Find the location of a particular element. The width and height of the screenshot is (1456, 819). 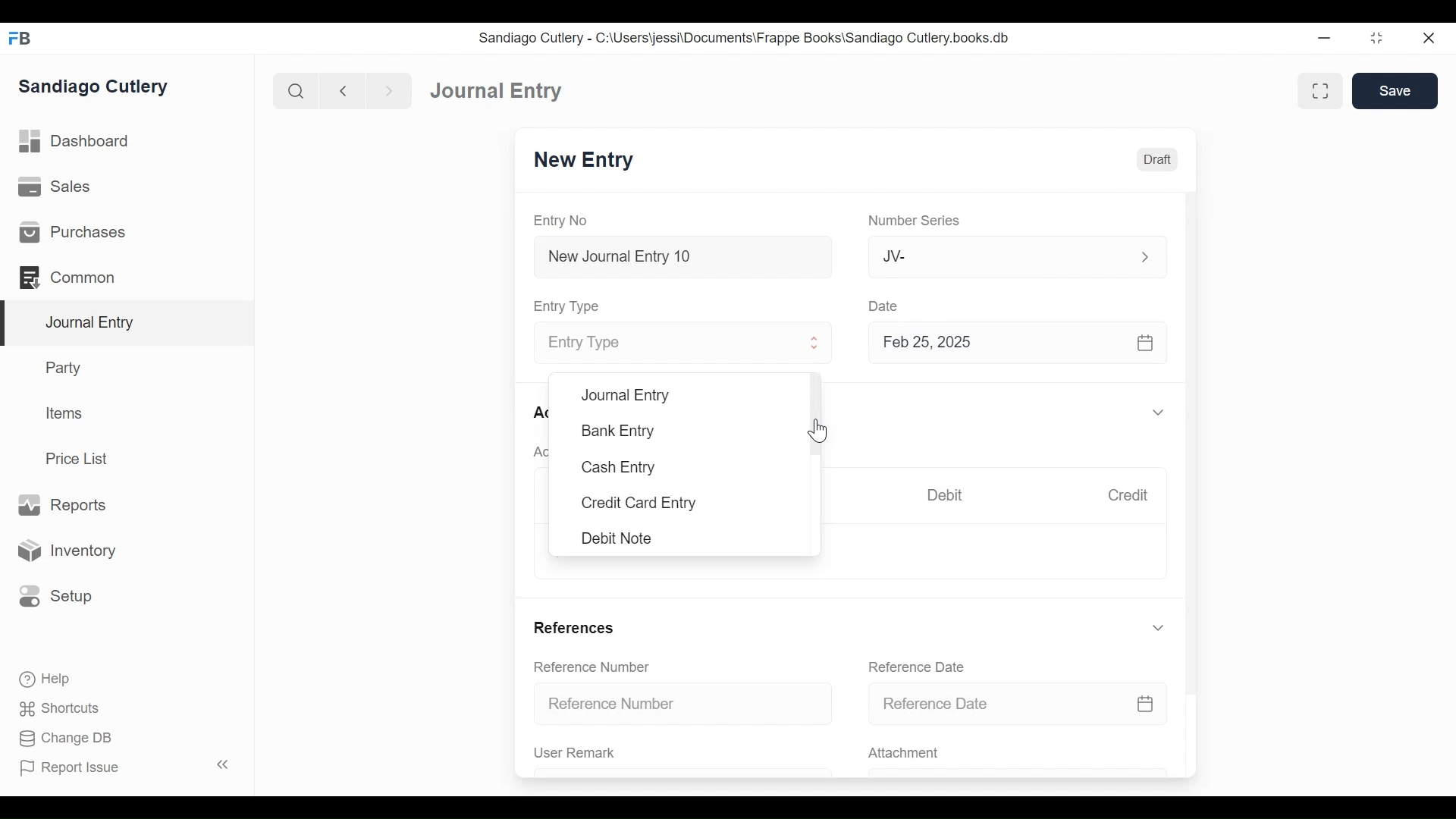

Restore is located at coordinates (1376, 39).